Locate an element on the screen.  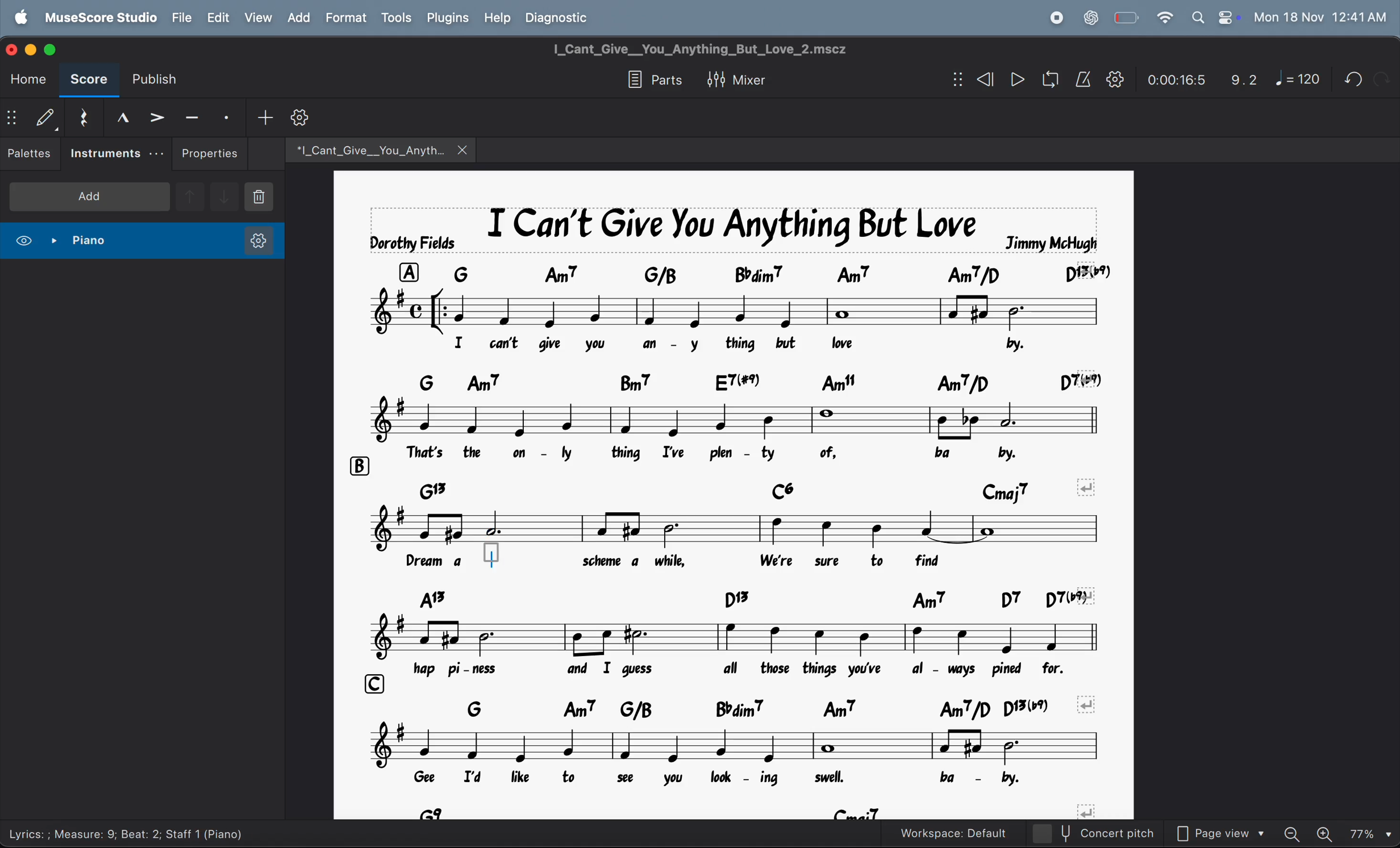
text cursor is located at coordinates (498, 559).